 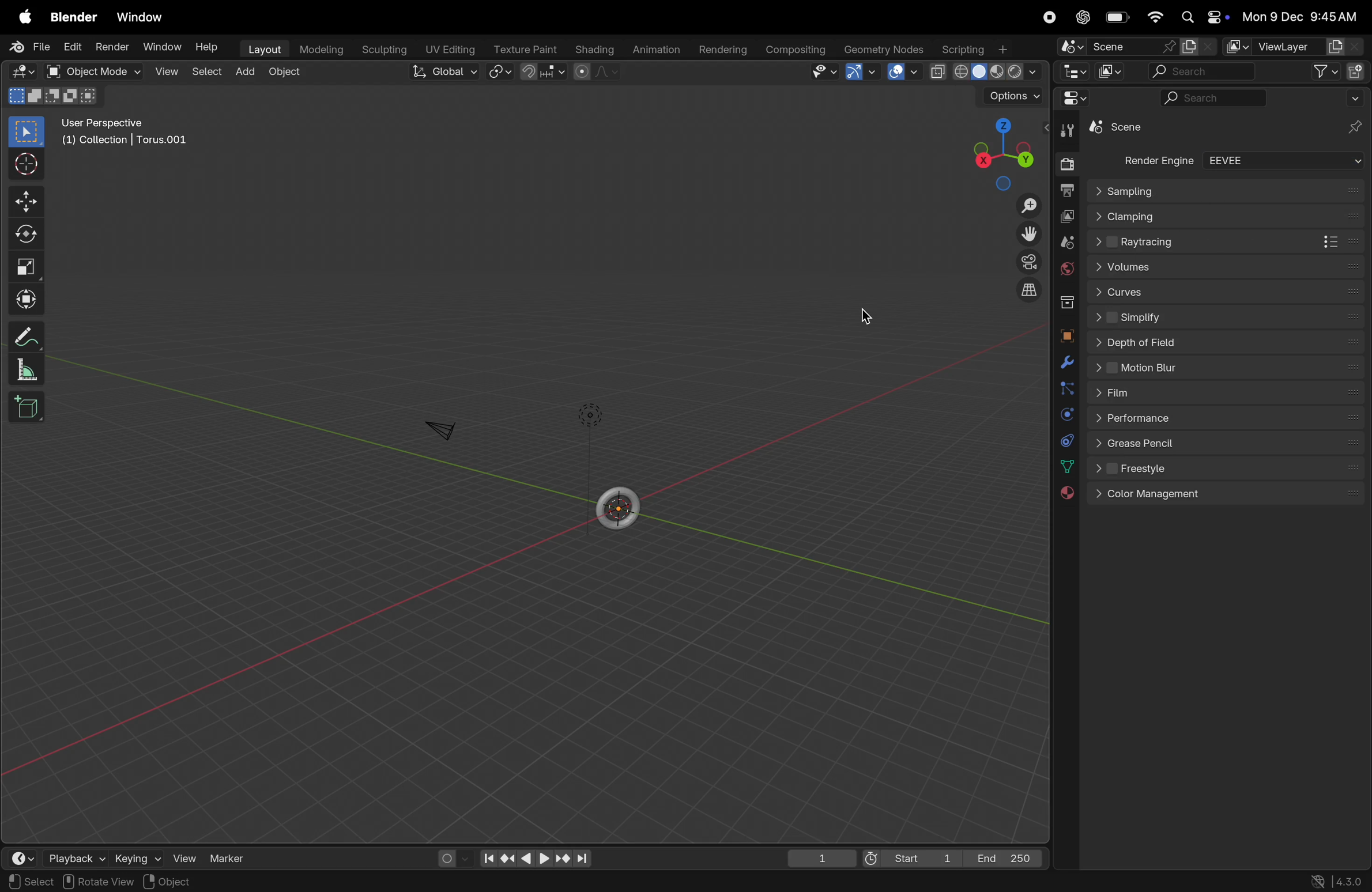 What do you see at coordinates (22, 16) in the screenshot?
I see `apple menu` at bounding box center [22, 16].